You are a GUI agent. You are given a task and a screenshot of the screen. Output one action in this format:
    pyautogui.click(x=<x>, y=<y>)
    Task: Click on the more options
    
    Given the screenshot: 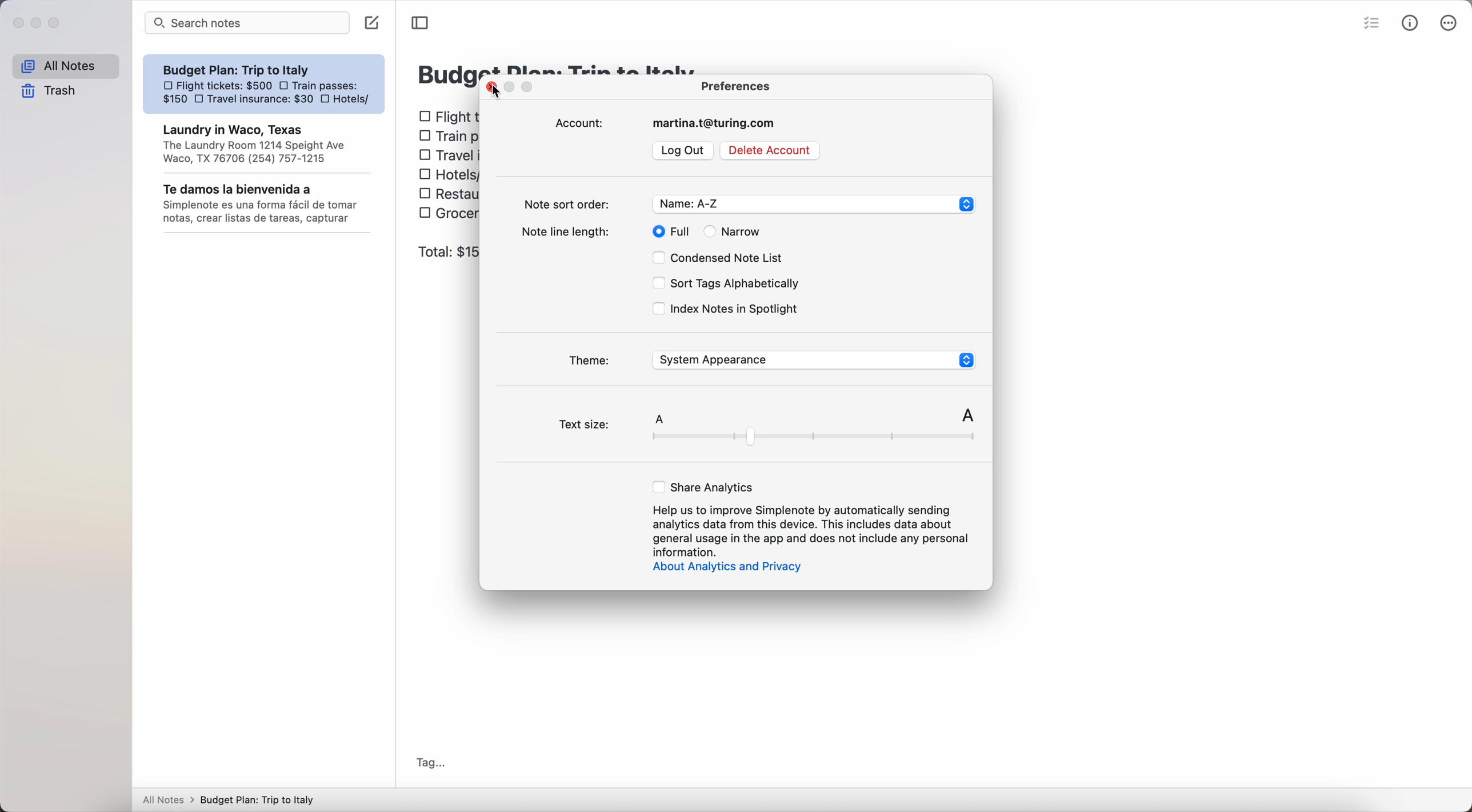 What is the action you would take?
    pyautogui.click(x=1451, y=22)
    